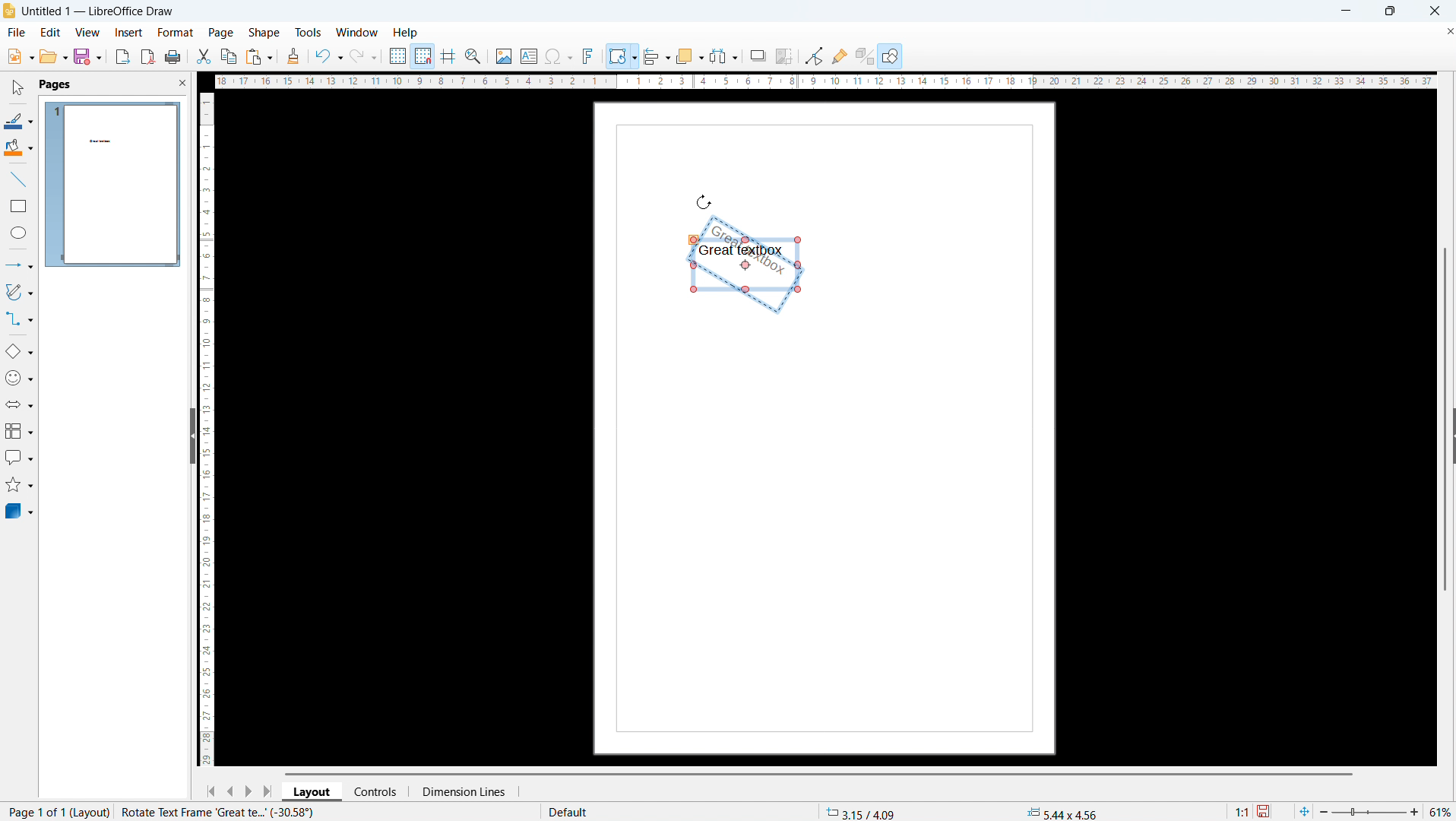  What do you see at coordinates (818, 773) in the screenshot?
I see `horizontal scroll bar ` at bounding box center [818, 773].